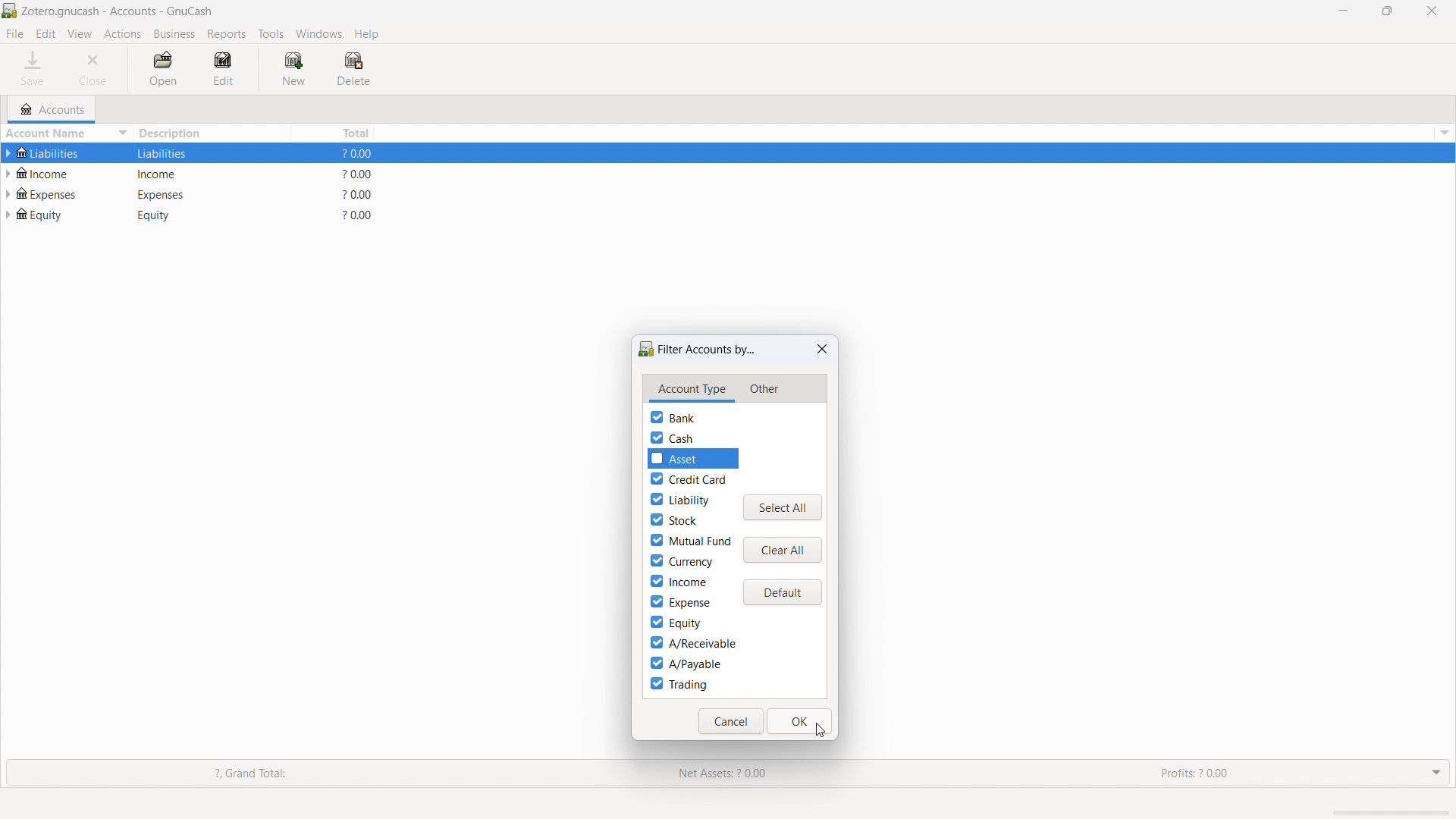  I want to click on reports, so click(227, 34).